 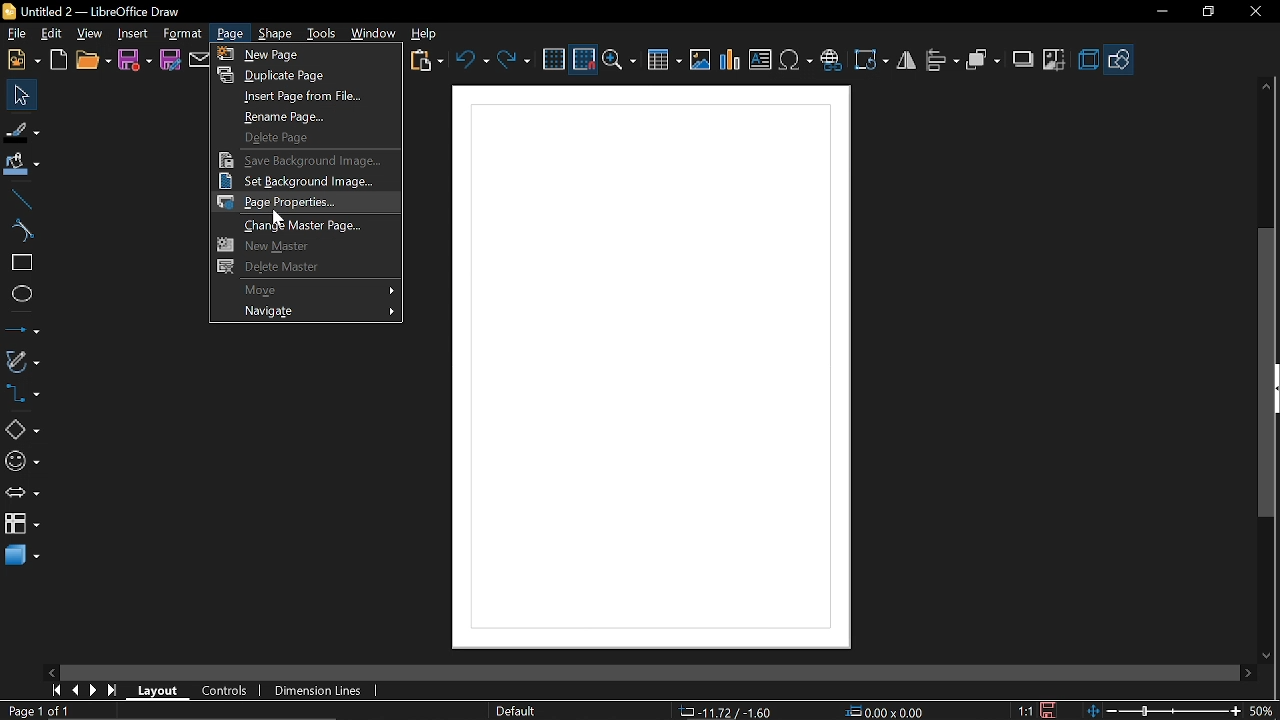 I want to click on CLose, so click(x=1258, y=14).